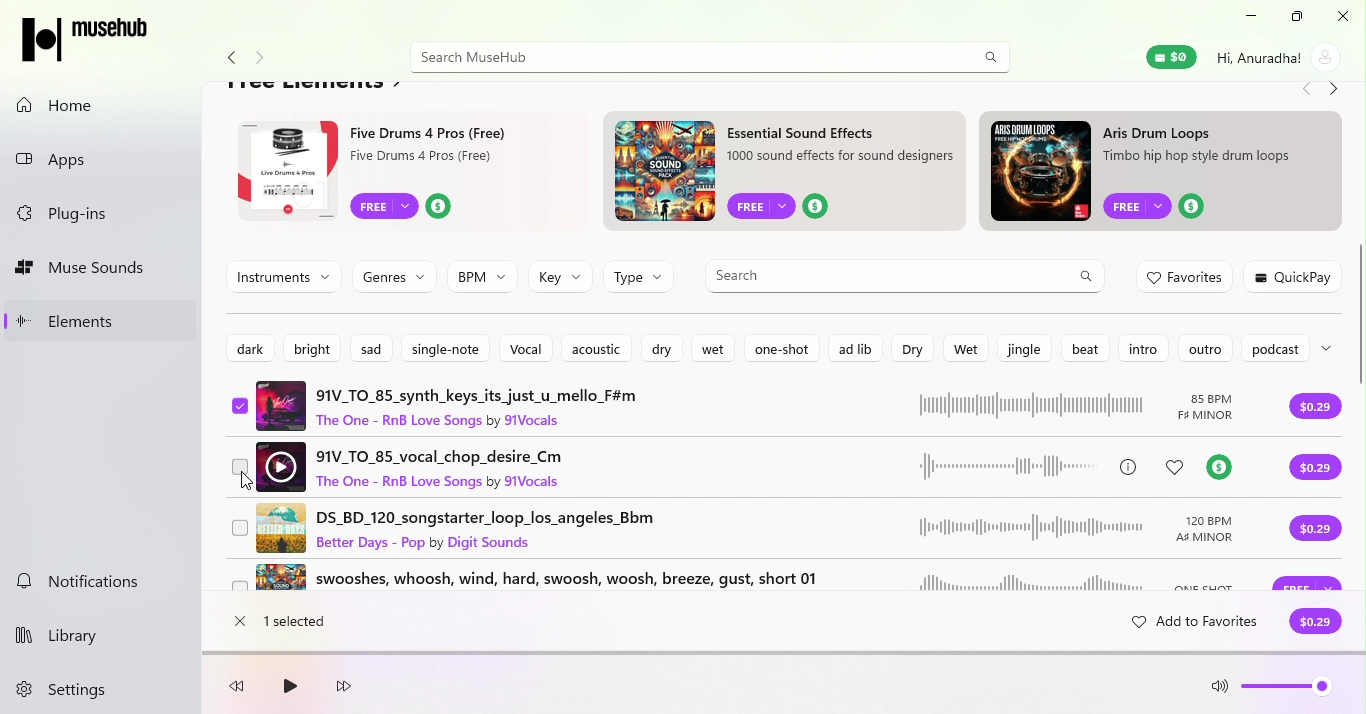 The height and width of the screenshot is (714, 1366). Describe the element at coordinates (302, 622) in the screenshot. I see `1 selected` at that location.